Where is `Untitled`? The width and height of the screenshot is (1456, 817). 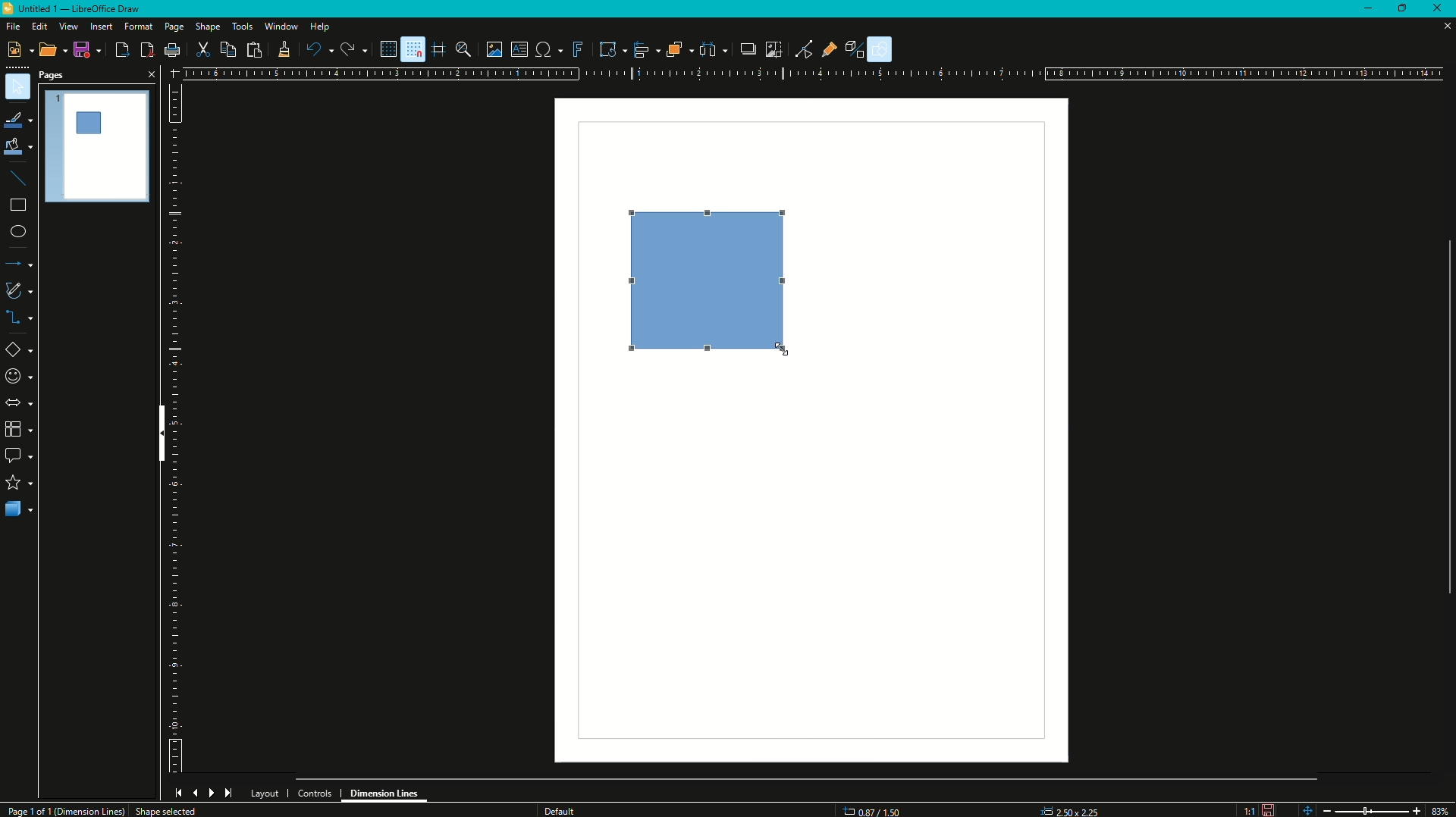 Untitled is located at coordinates (78, 11).